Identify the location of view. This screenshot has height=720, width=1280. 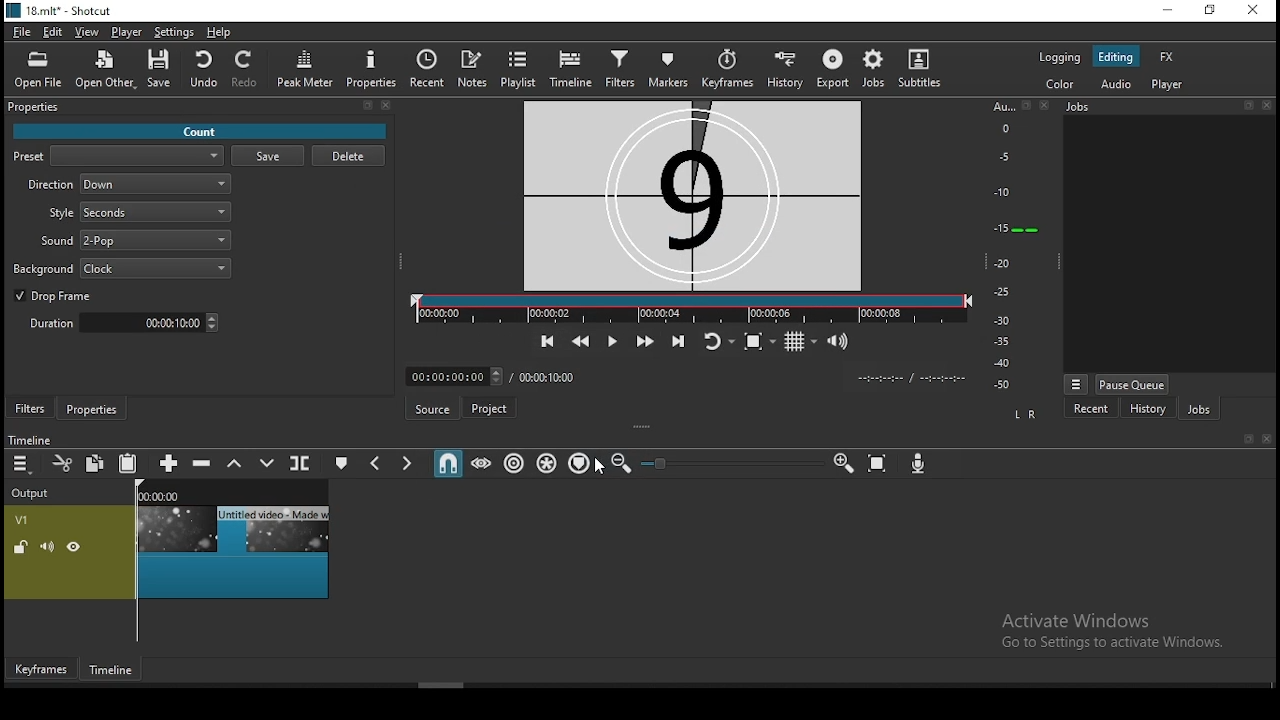
(87, 31).